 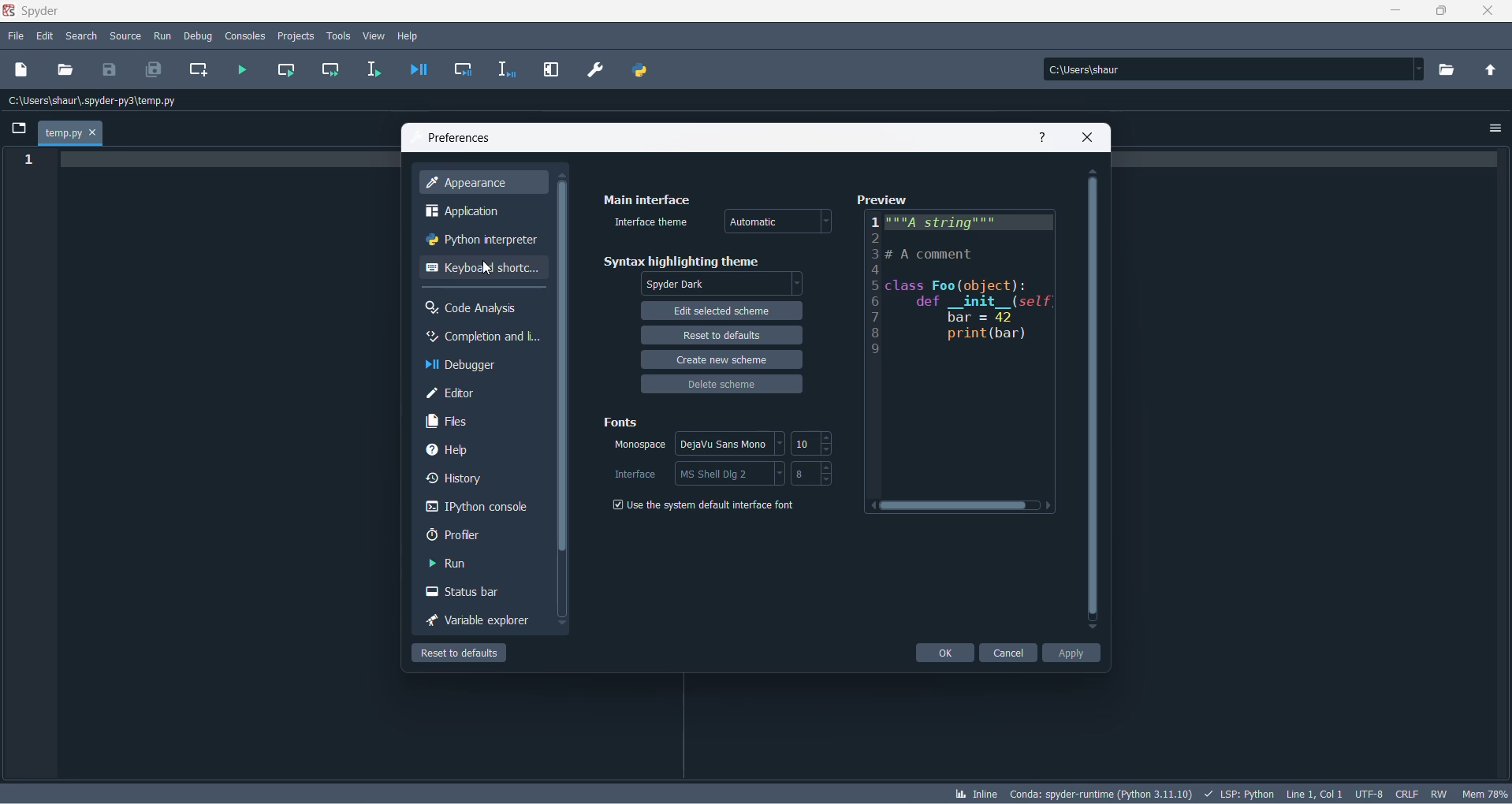 What do you see at coordinates (472, 535) in the screenshot?
I see `proflier` at bounding box center [472, 535].